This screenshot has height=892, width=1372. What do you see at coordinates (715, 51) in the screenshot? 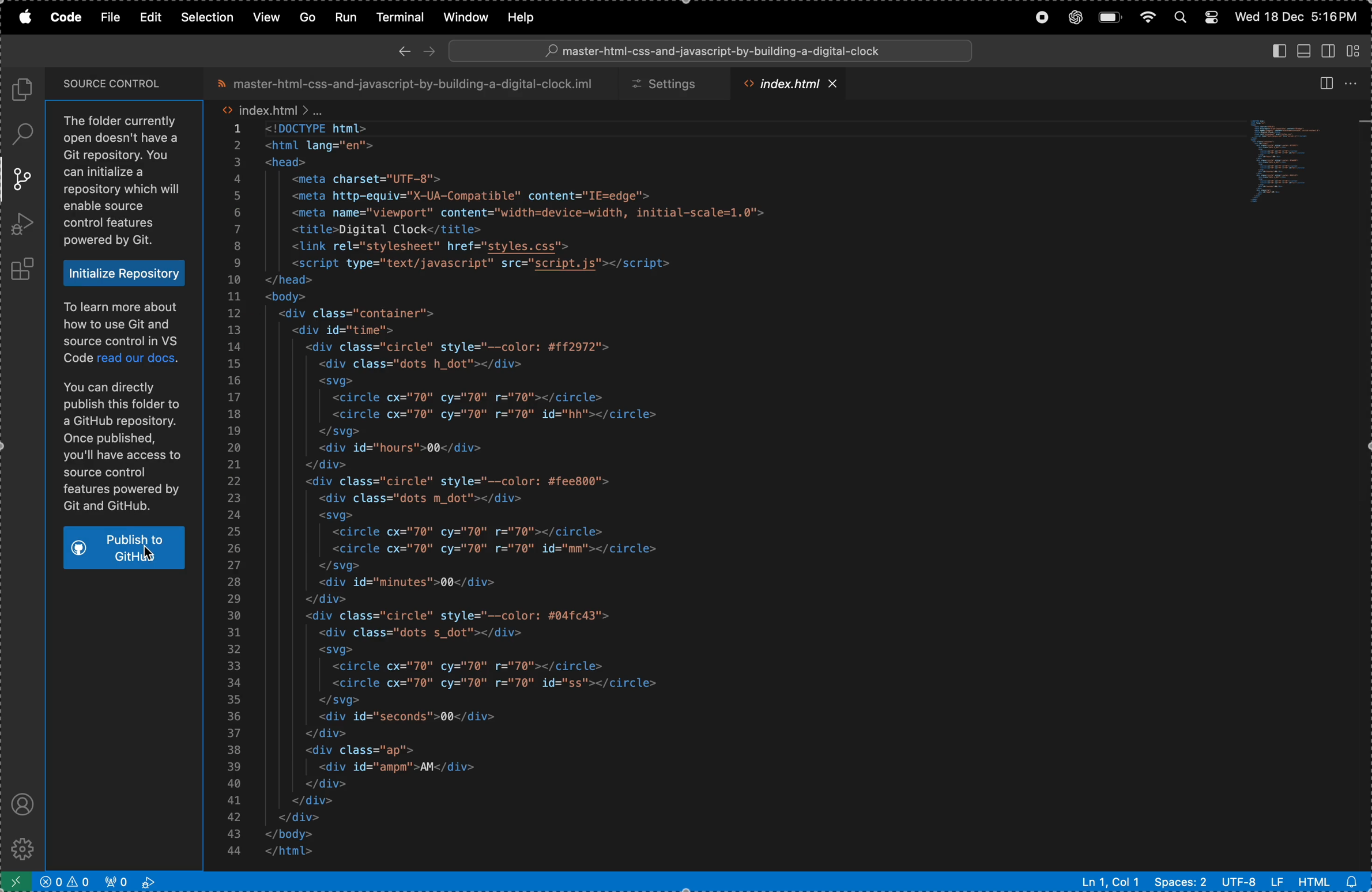
I see `search bar` at bounding box center [715, 51].